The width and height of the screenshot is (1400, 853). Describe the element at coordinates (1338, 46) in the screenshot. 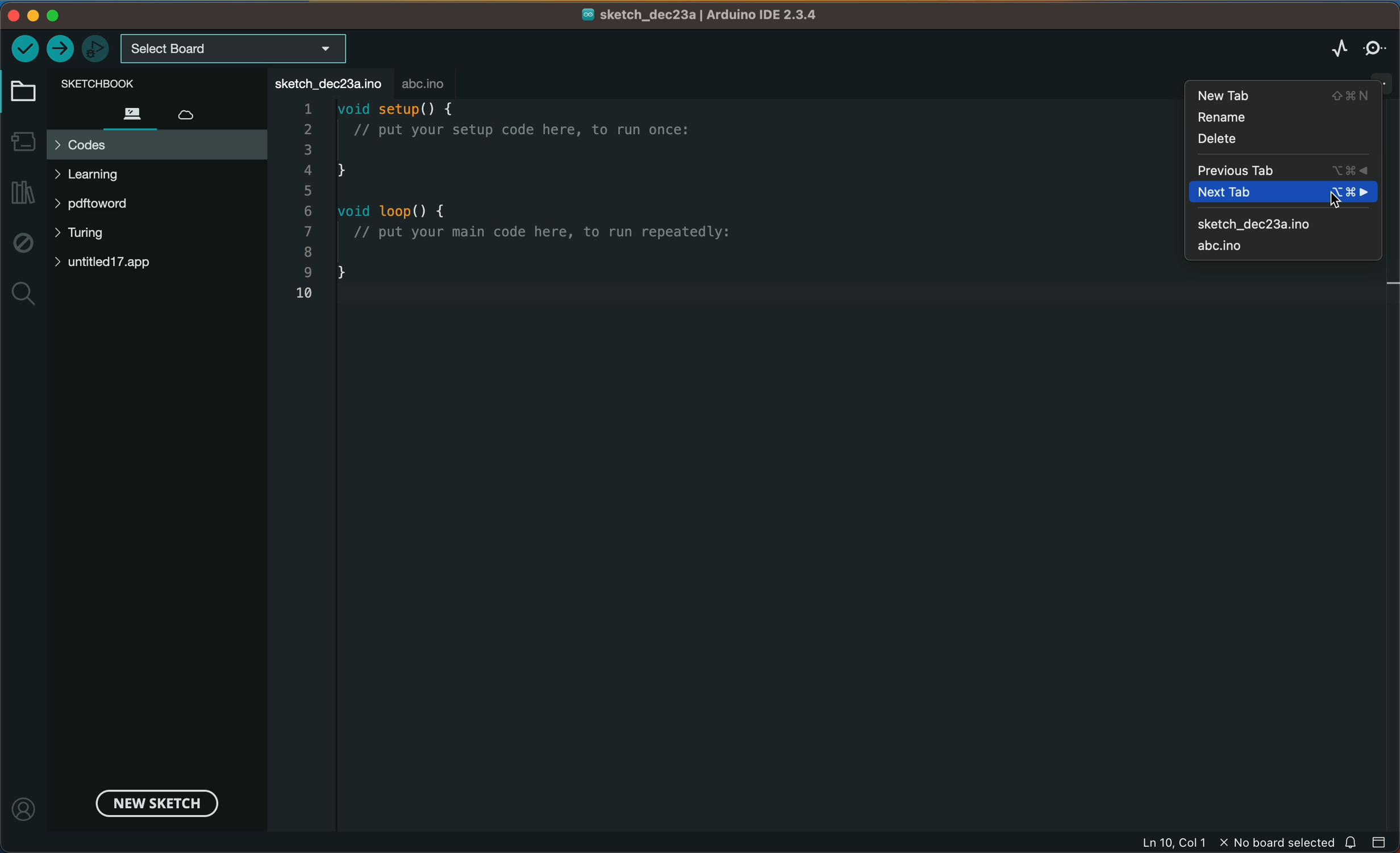

I see `serial plotter` at that location.